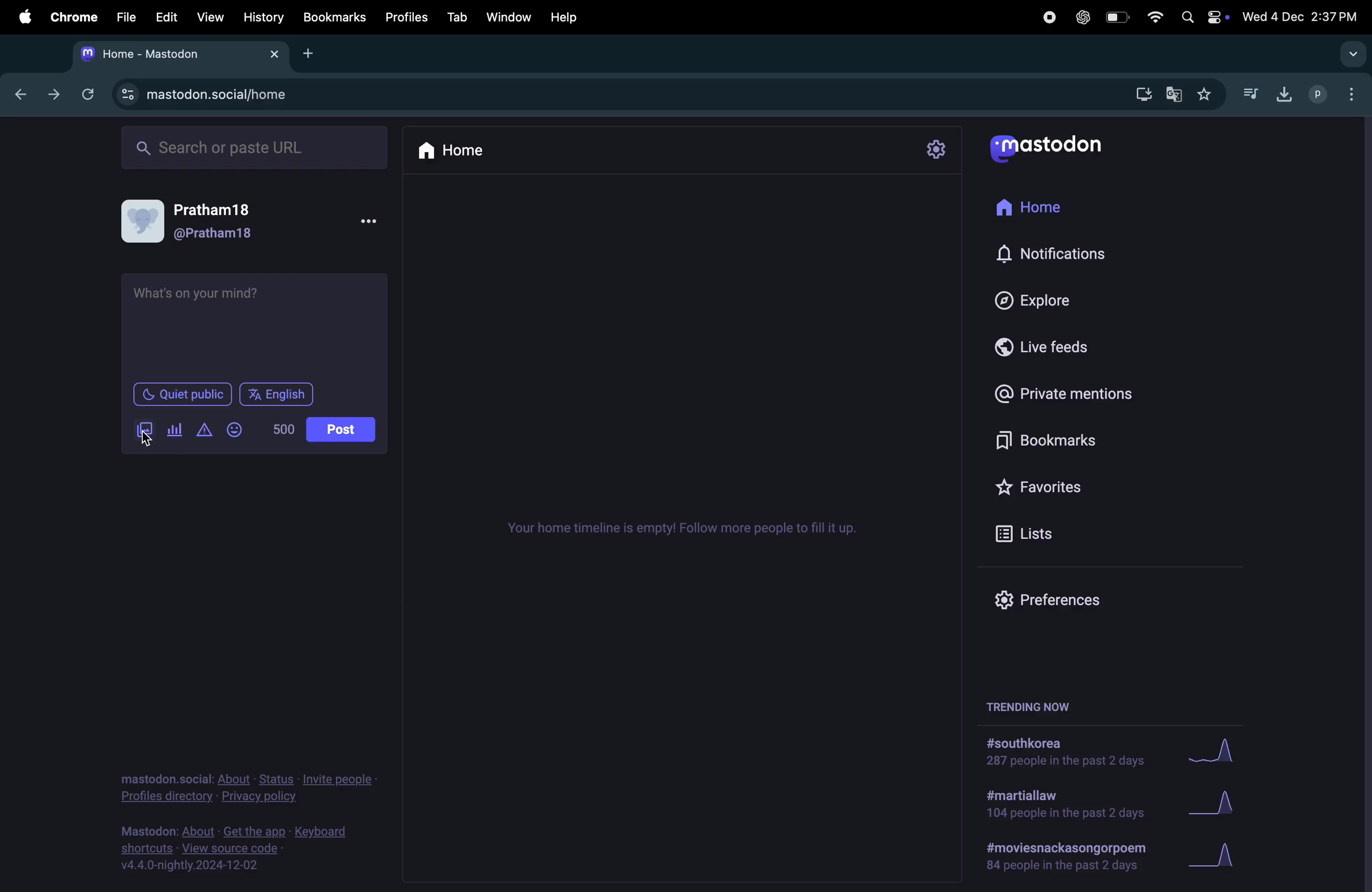  What do you see at coordinates (1302, 14) in the screenshot?
I see `date and time` at bounding box center [1302, 14].